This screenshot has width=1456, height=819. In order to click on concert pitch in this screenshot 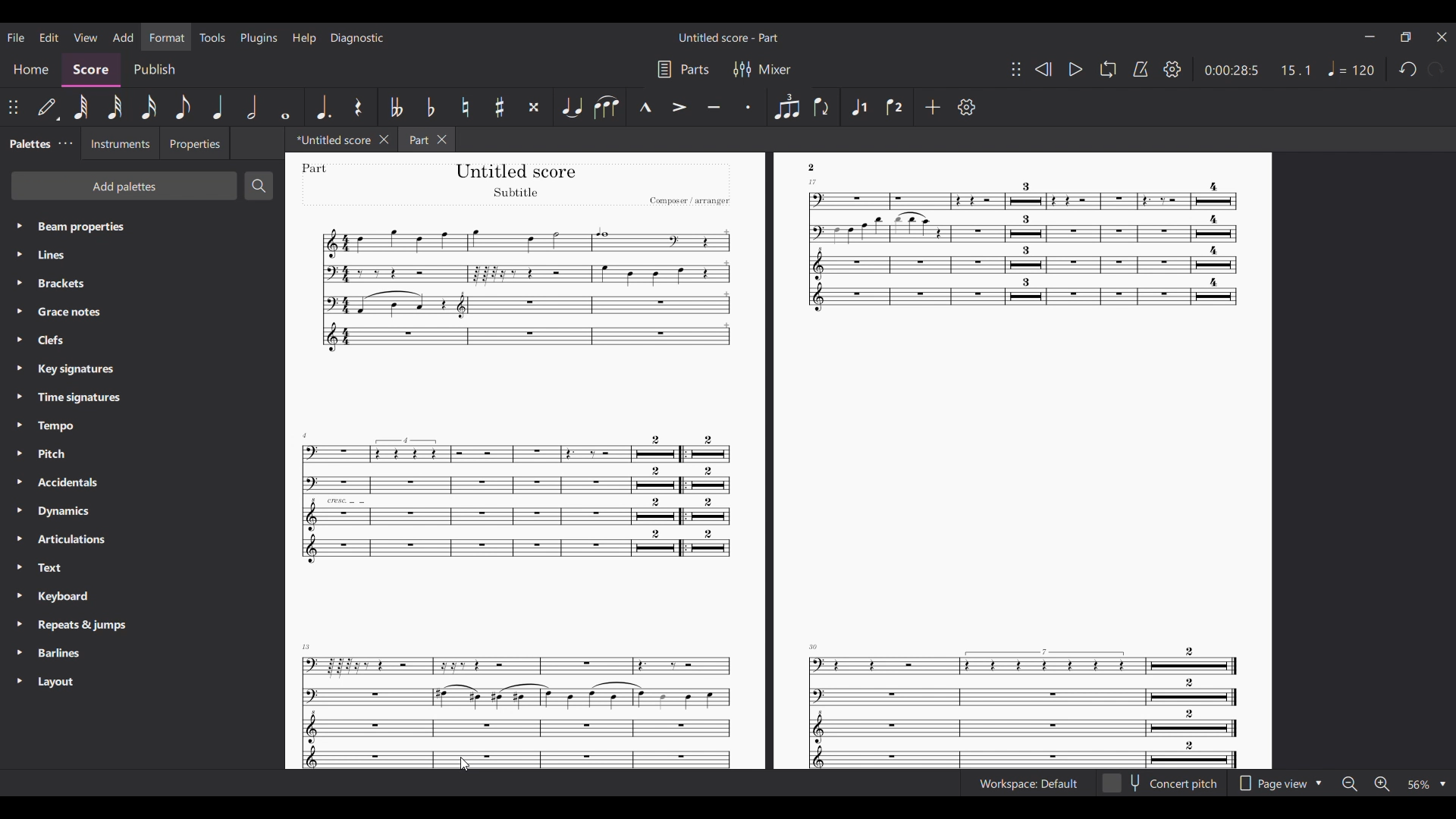, I will do `click(1160, 785)`.